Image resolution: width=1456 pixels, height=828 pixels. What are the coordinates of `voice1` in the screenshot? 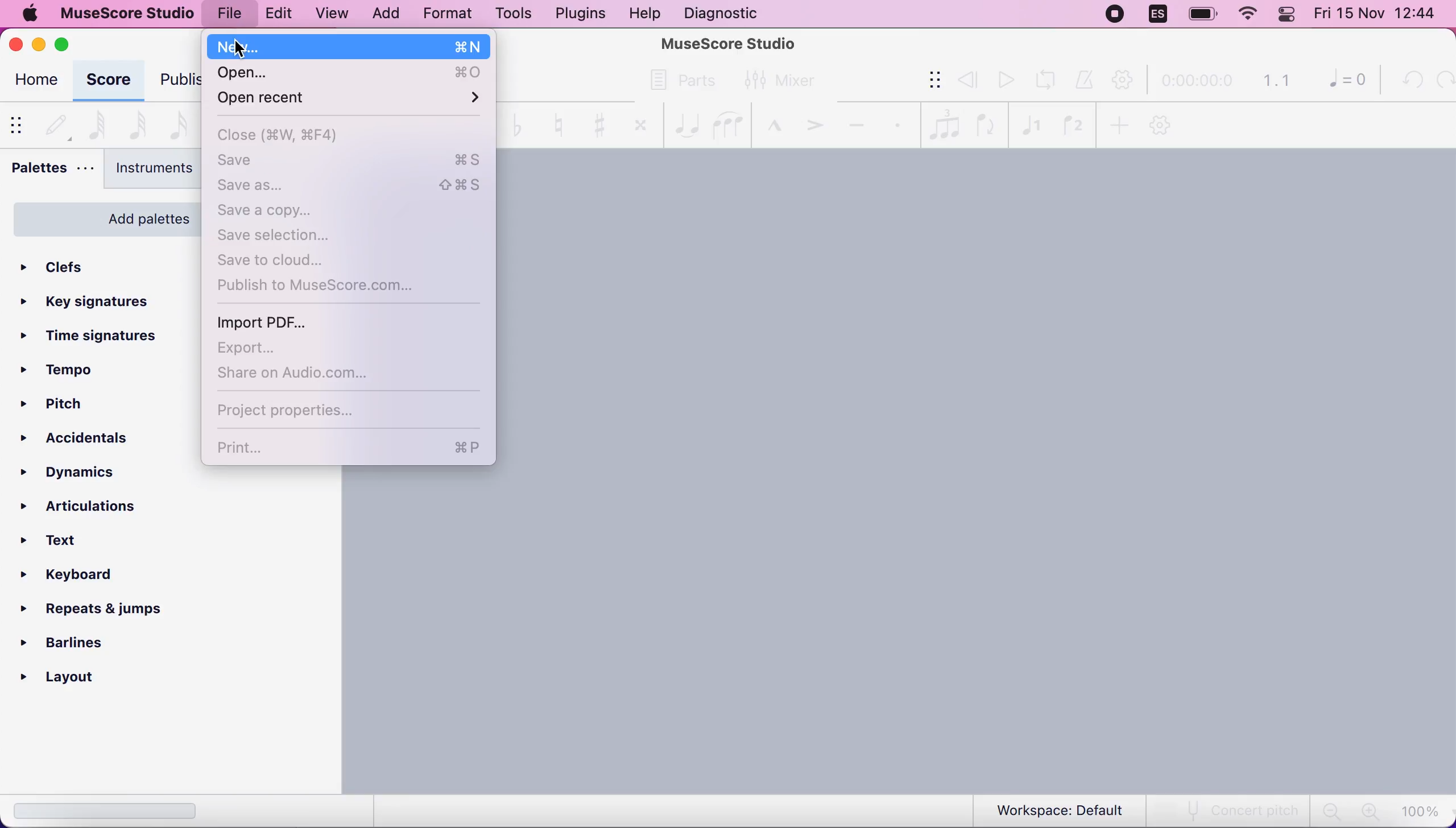 It's located at (1030, 123).